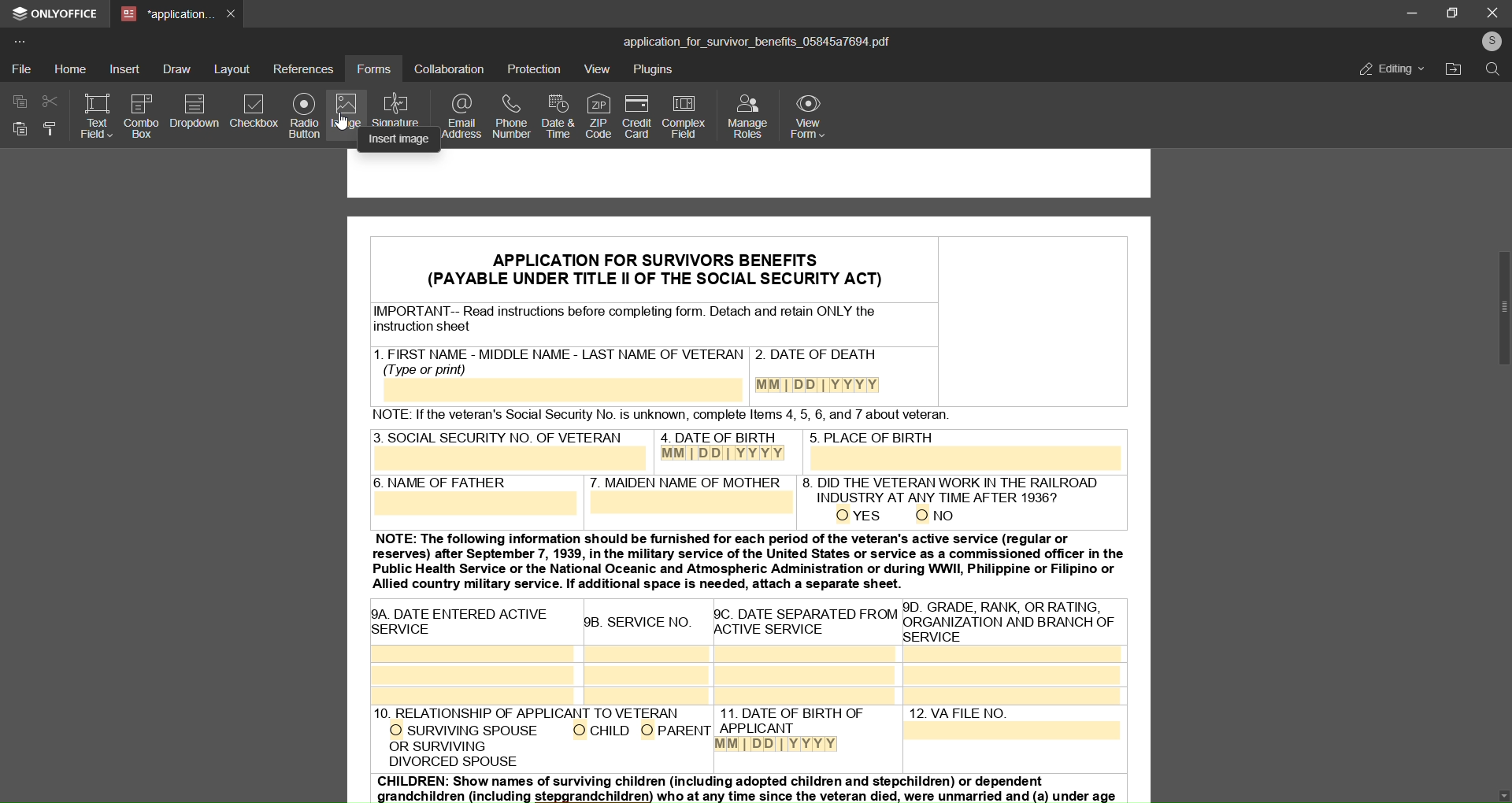  What do you see at coordinates (655, 71) in the screenshot?
I see `plugins` at bounding box center [655, 71].